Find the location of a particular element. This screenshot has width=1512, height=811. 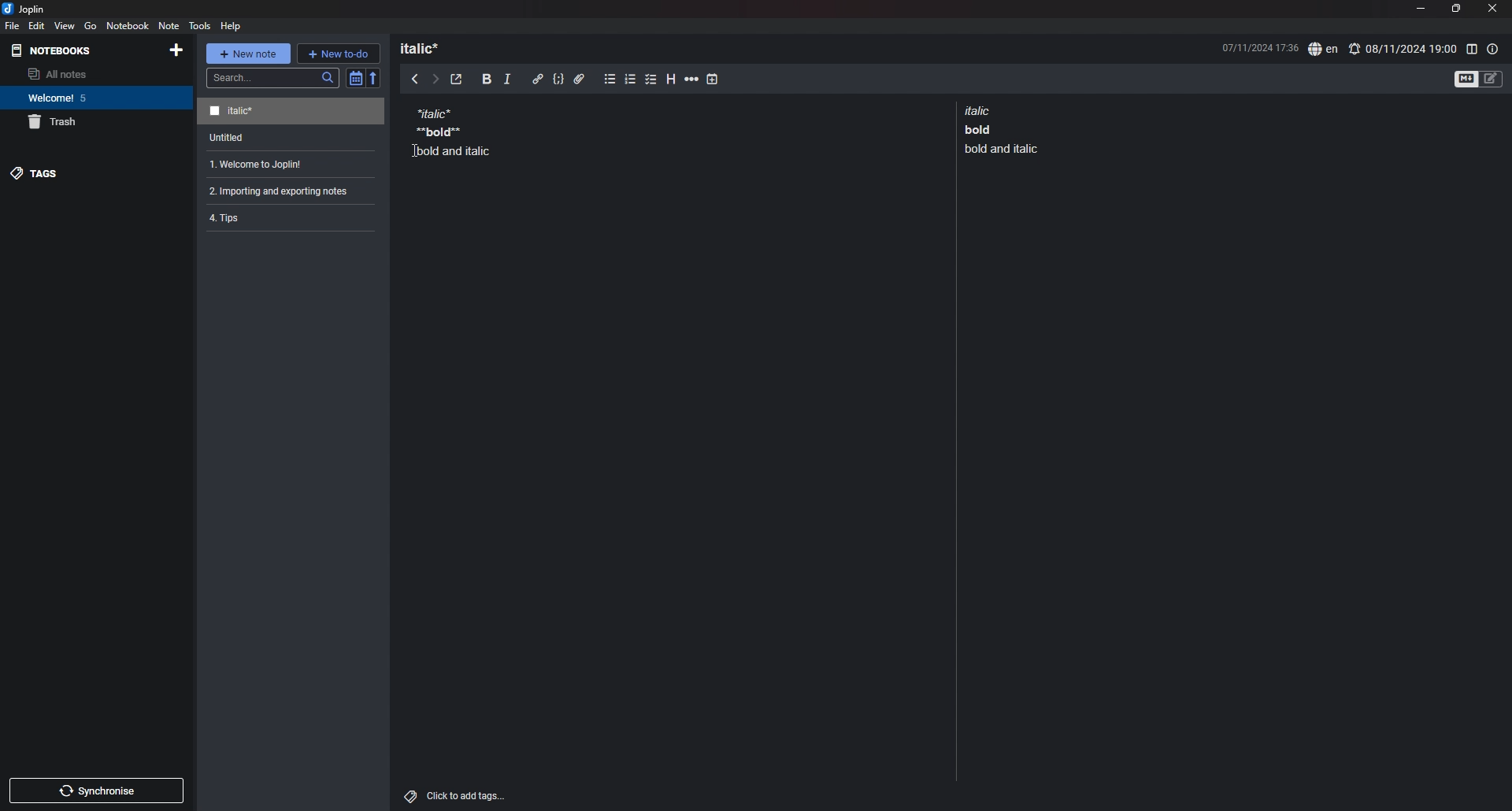

note is located at coordinates (168, 25).